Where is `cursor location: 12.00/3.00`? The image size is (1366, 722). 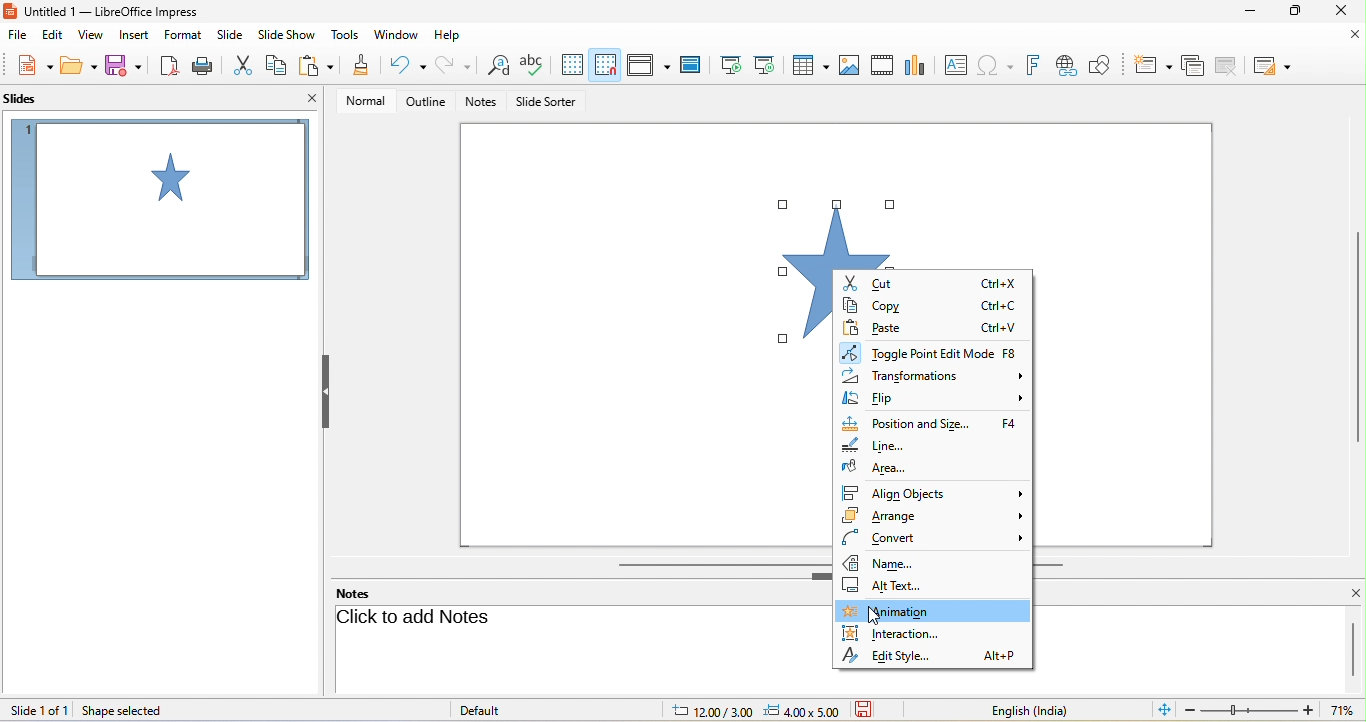 cursor location: 12.00/3.00 is located at coordinates (711, 712).